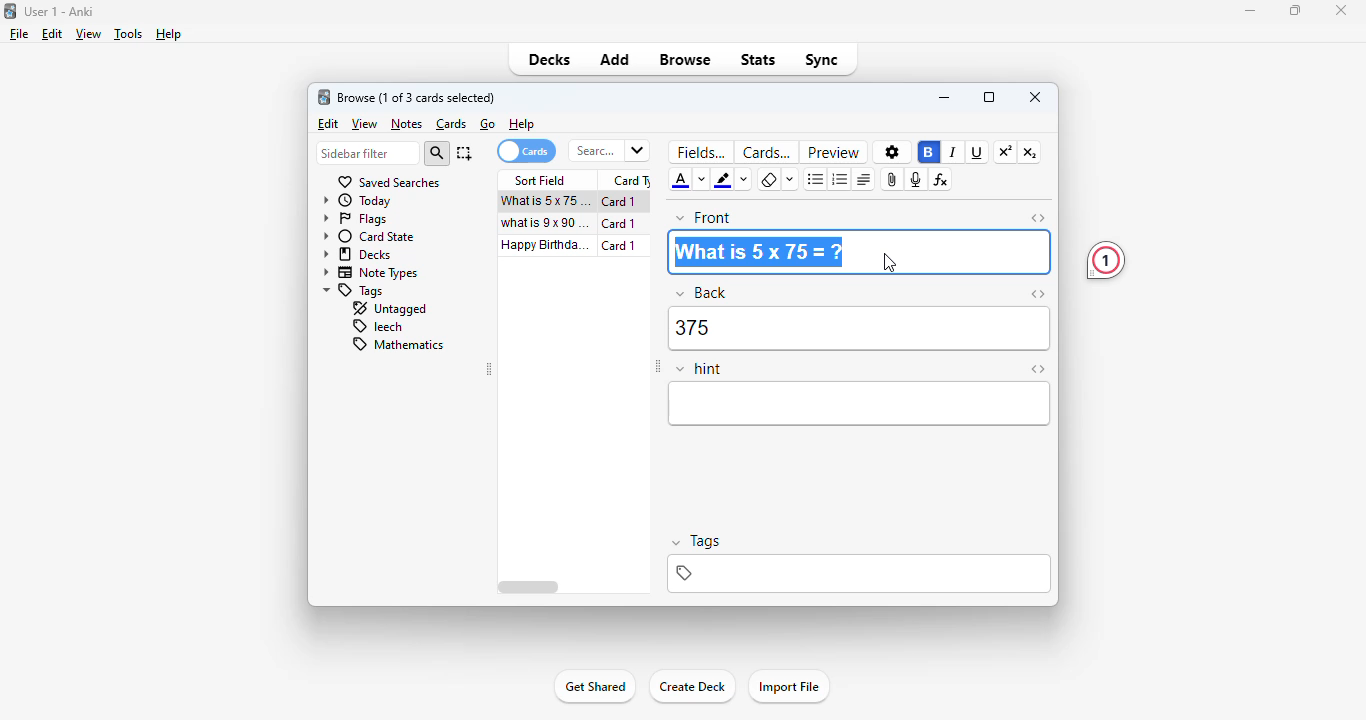 This screenshot has width=1366, height=720. I want to click on subscript, so click(1030, 153).